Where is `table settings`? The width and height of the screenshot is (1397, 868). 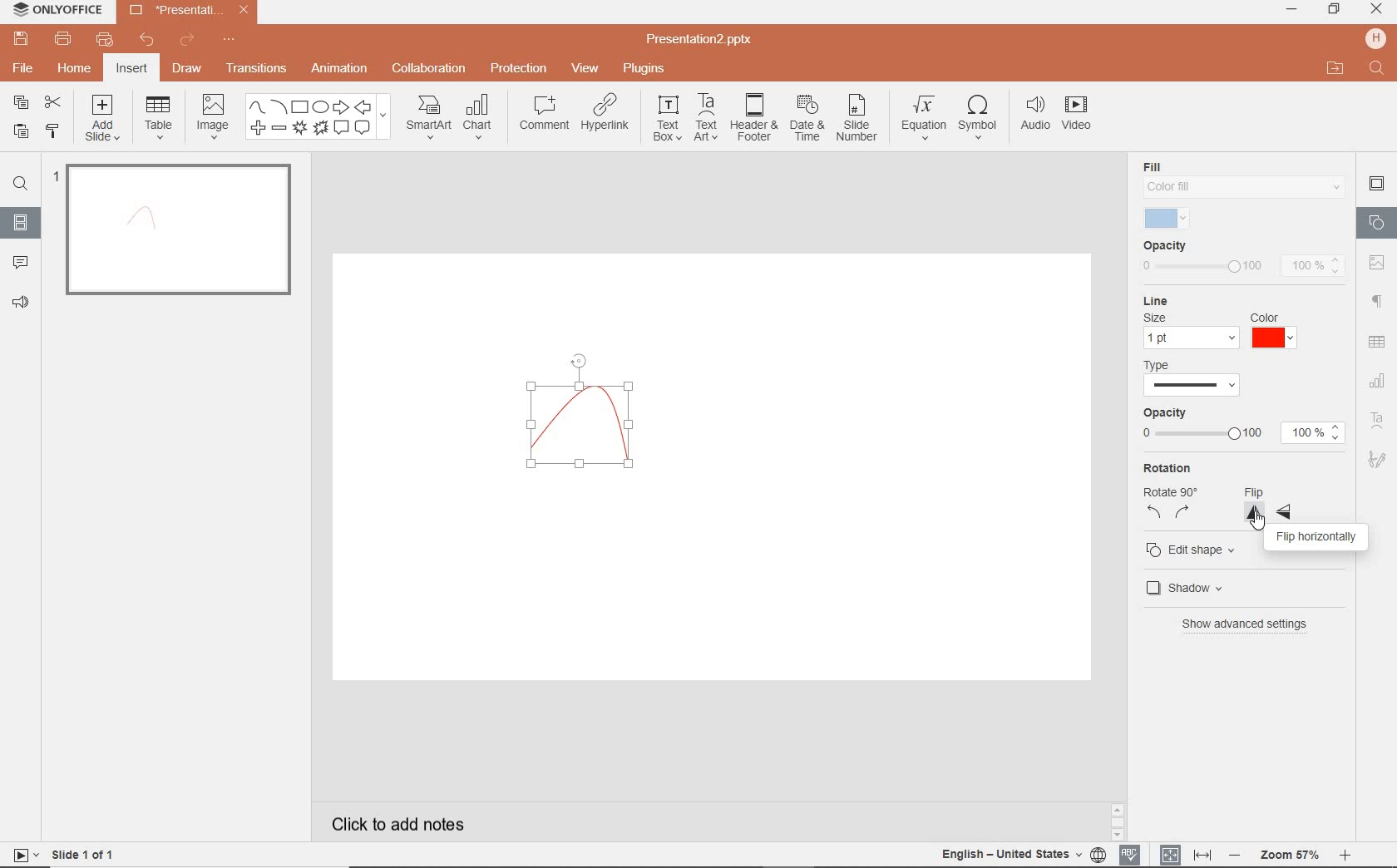 table settings is located at coordinates (1379, 340).